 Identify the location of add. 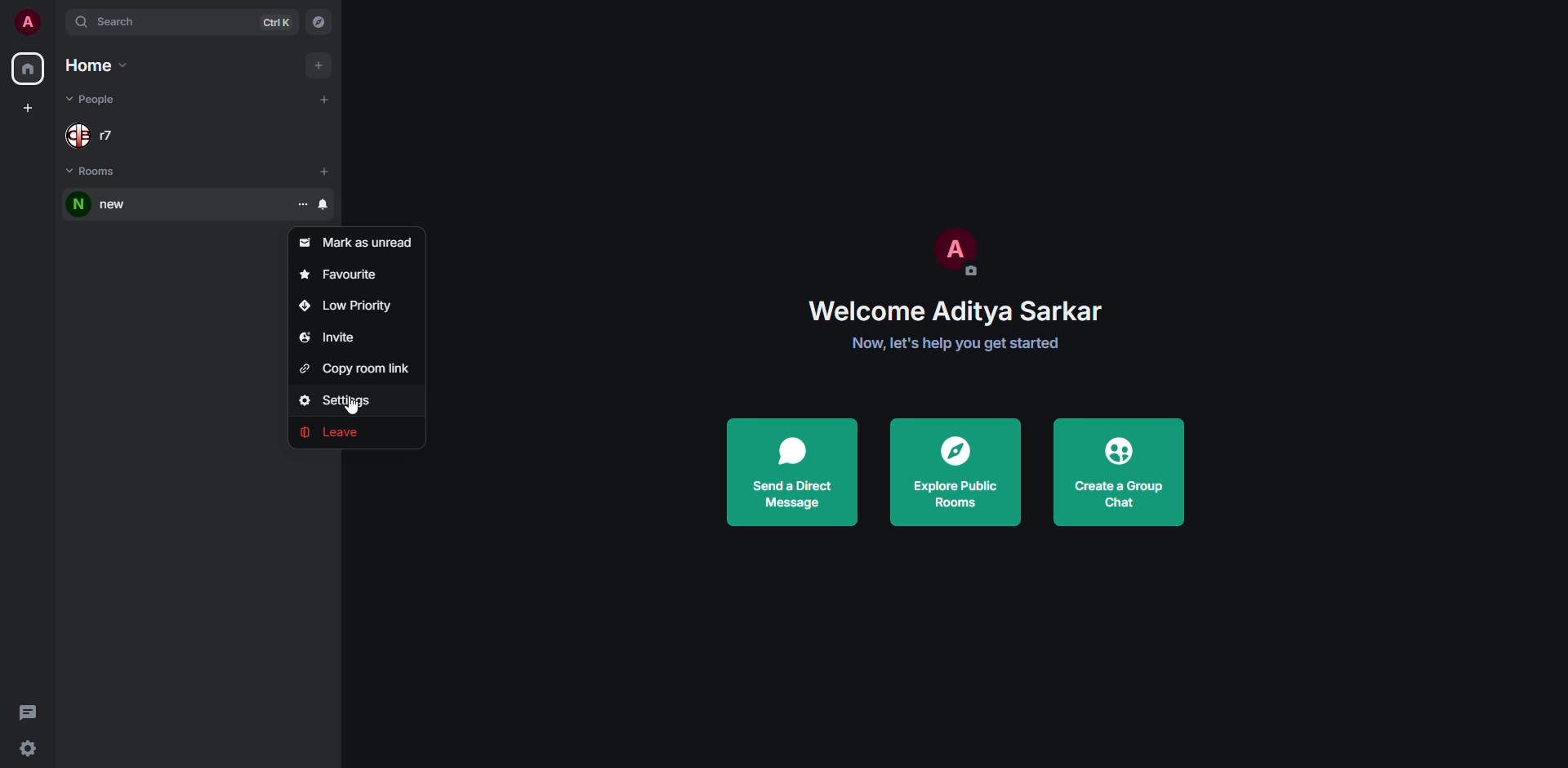
(316, 65).